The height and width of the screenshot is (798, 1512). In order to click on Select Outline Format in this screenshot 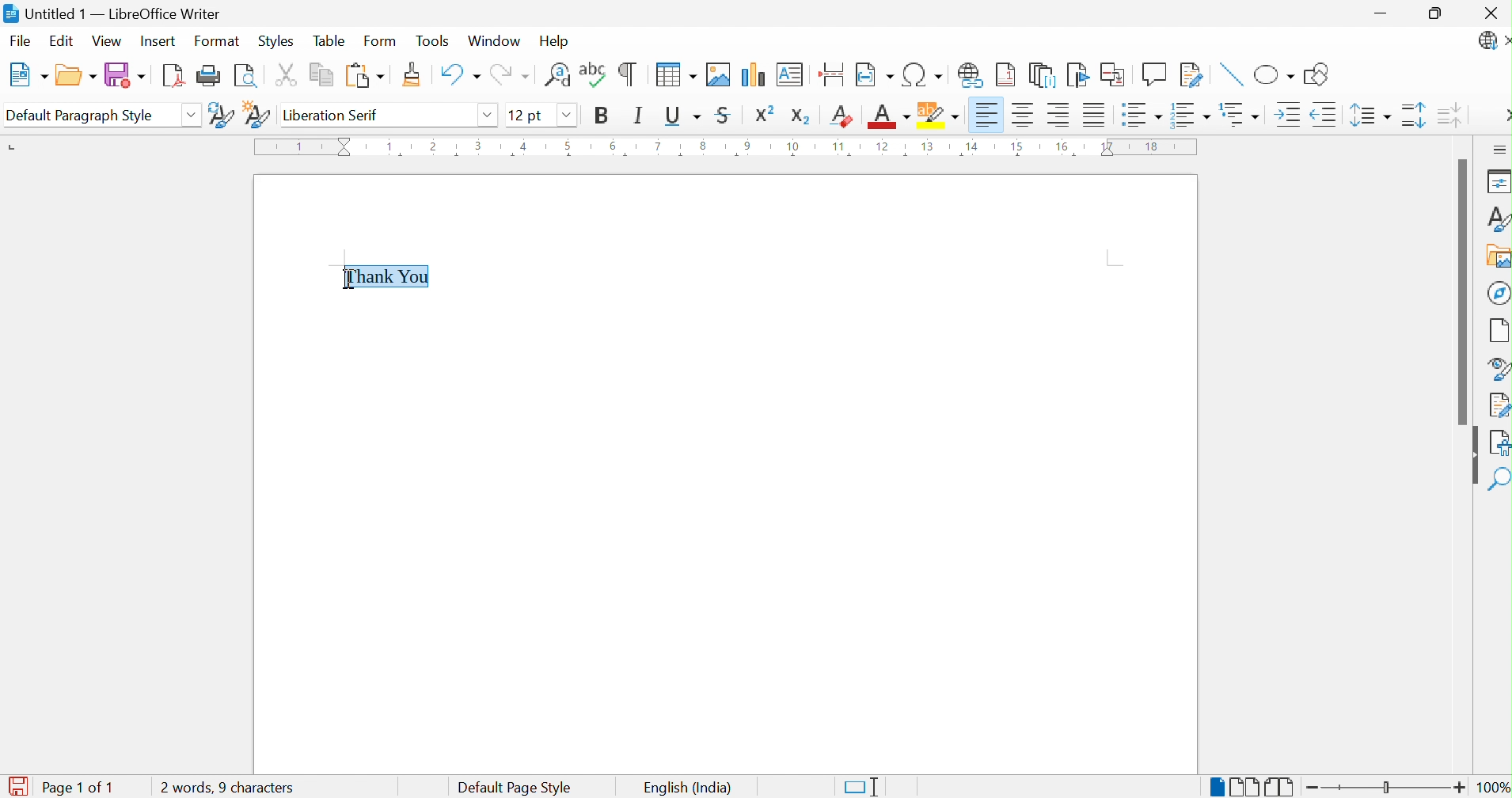, I will do `click(1238, 115)`.